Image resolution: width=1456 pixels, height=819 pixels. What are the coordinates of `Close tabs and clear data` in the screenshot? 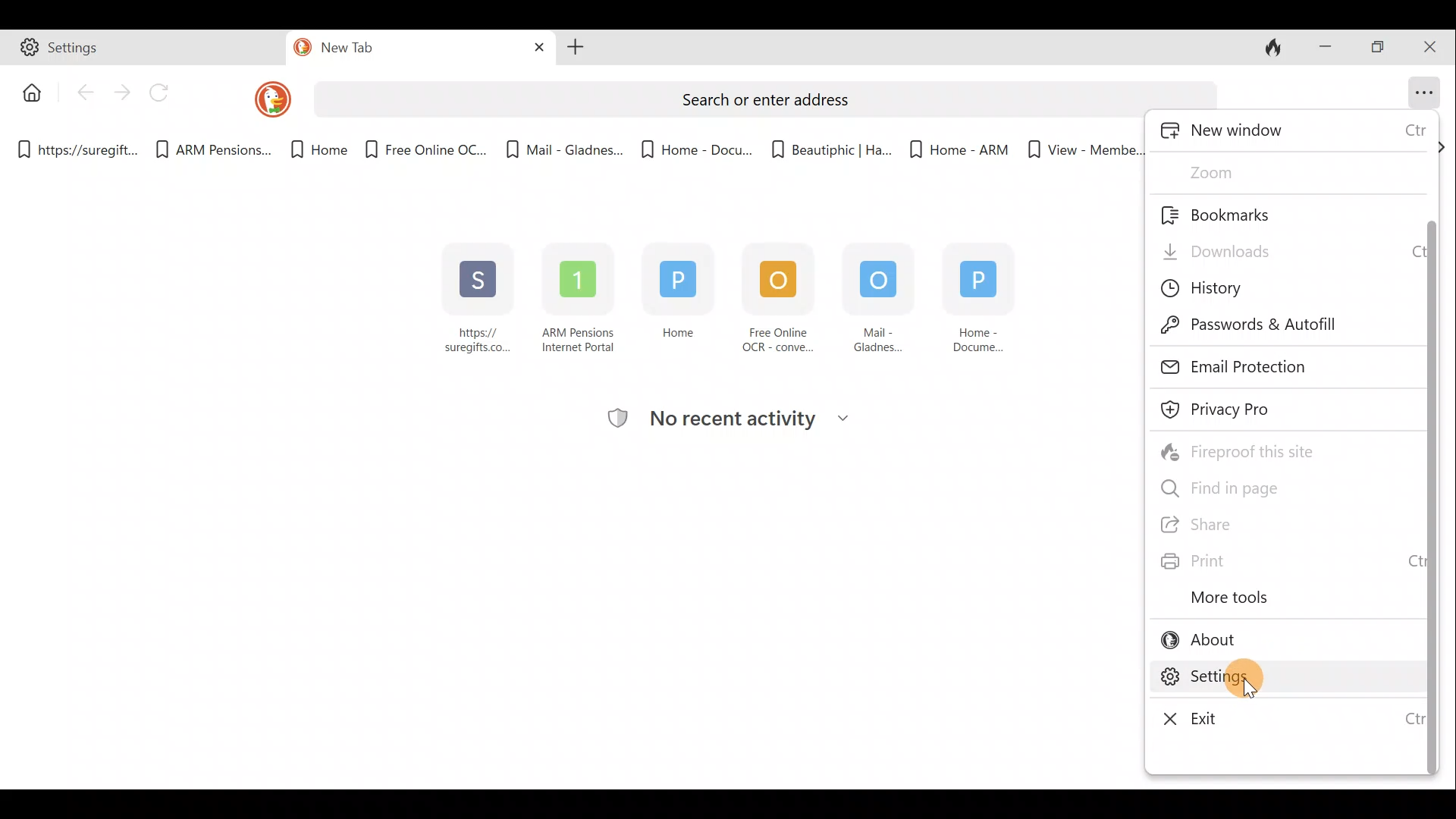 It's located at (1273, 47).